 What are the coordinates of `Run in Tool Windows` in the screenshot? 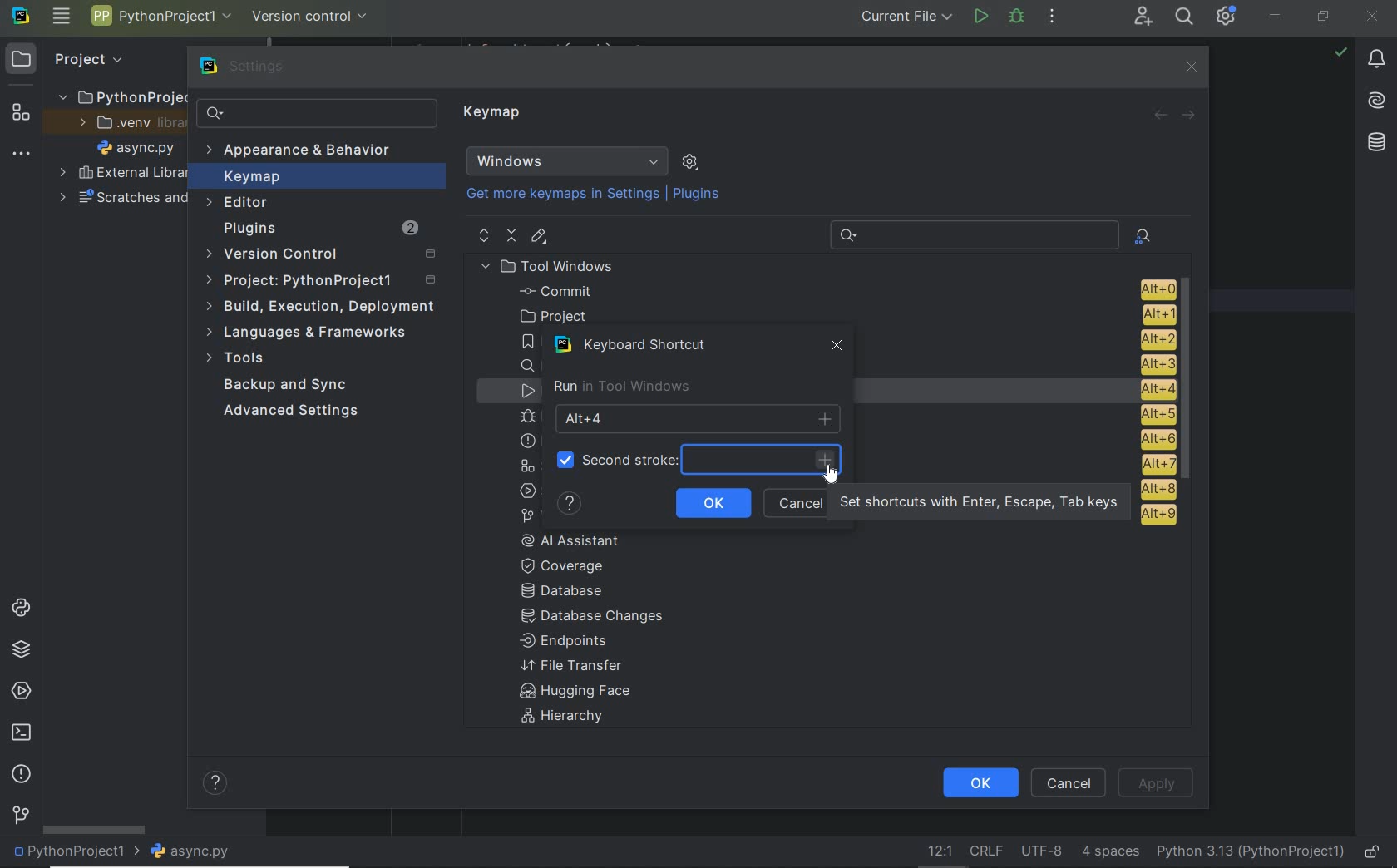 It's located at (621, 387).